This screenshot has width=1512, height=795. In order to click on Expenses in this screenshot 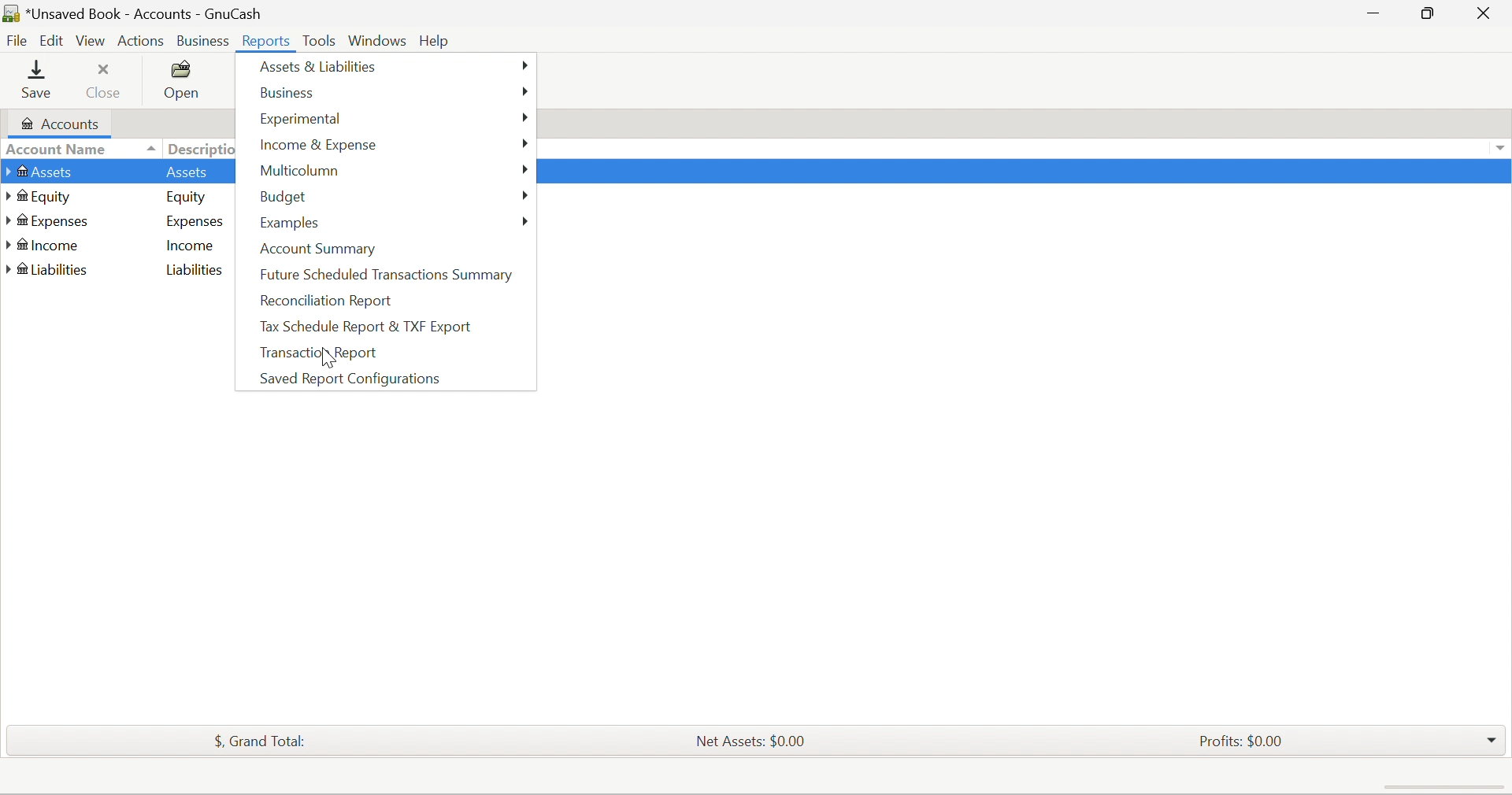, I will do `click(50, 223)`.